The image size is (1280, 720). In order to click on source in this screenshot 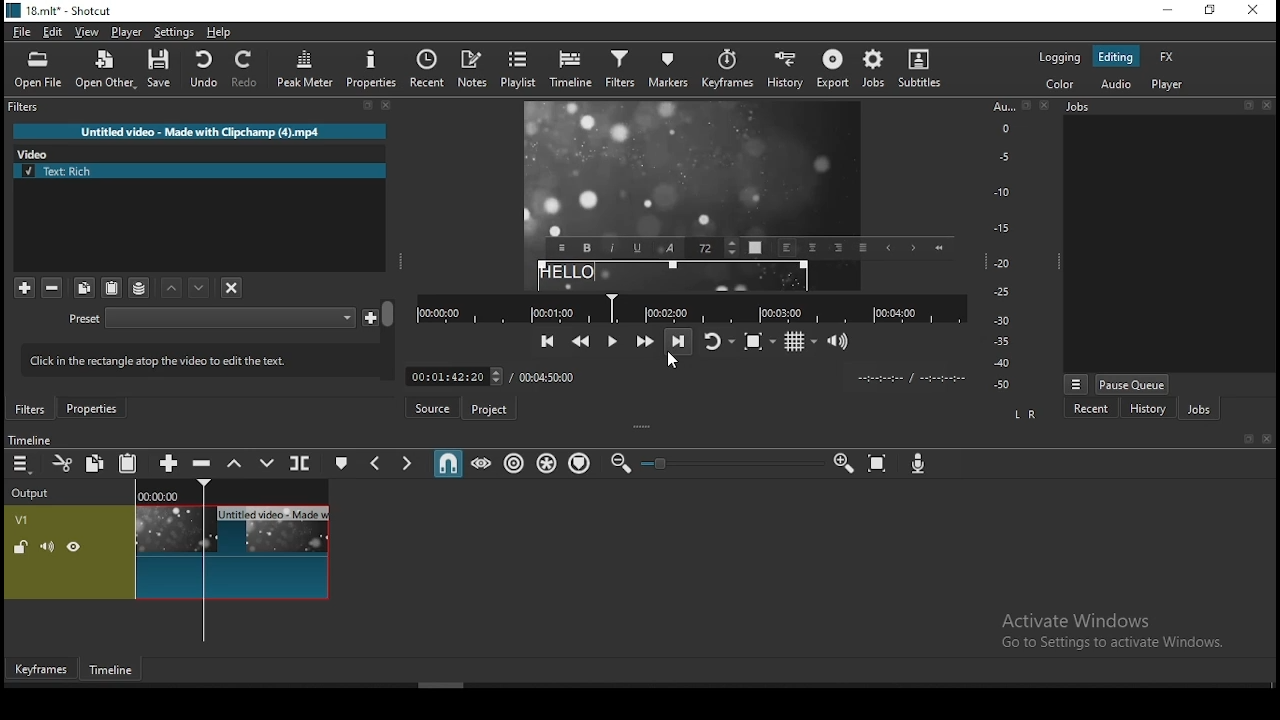, I will do `click(431, 407)`.